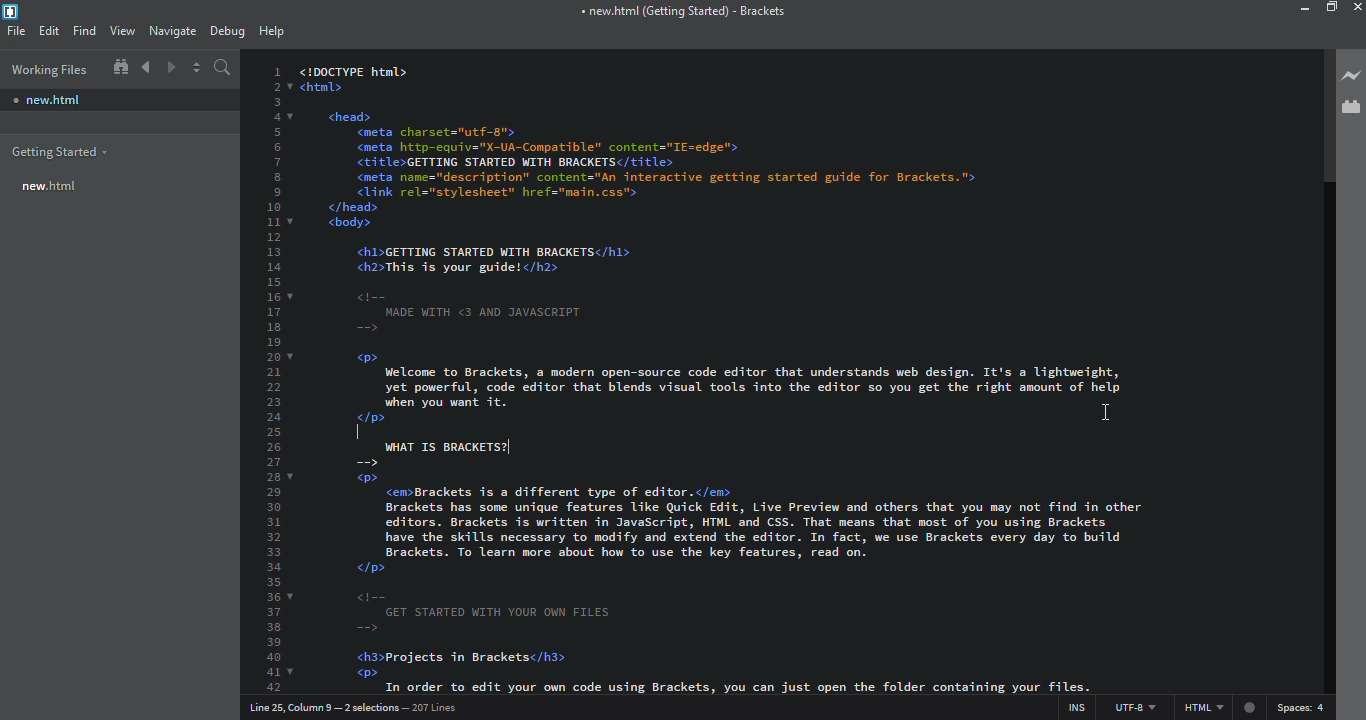  What do you see at coordinates (51, 185) in the screenshot?
I see `new` at bounding box center [51, 185].